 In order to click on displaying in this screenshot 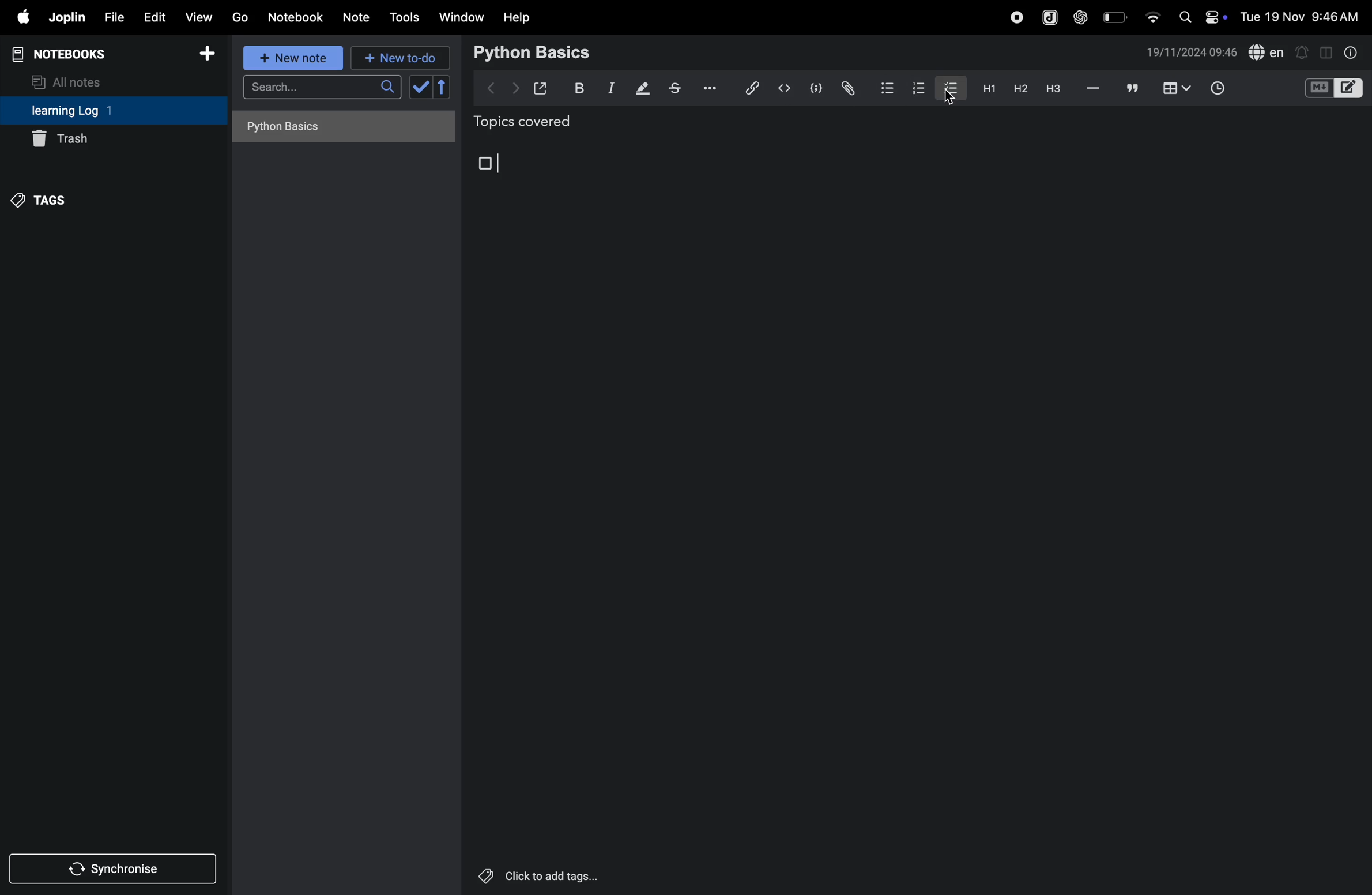, I will do `click(643, 89)`.